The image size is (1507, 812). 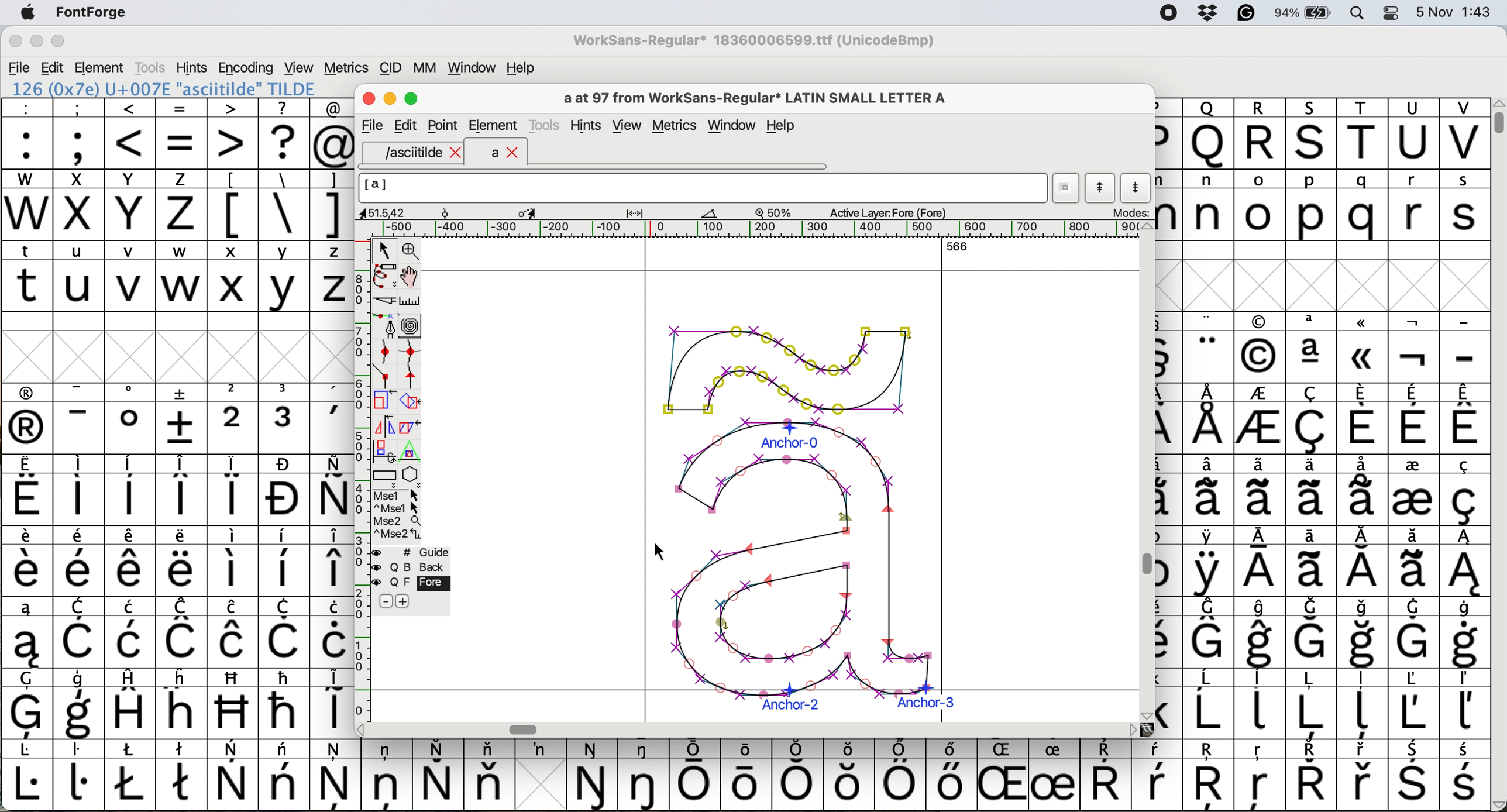 What do you see at coordinates (1464, 562) in the screenshot?
I see `symbol` at bounding box center [1464, 562].